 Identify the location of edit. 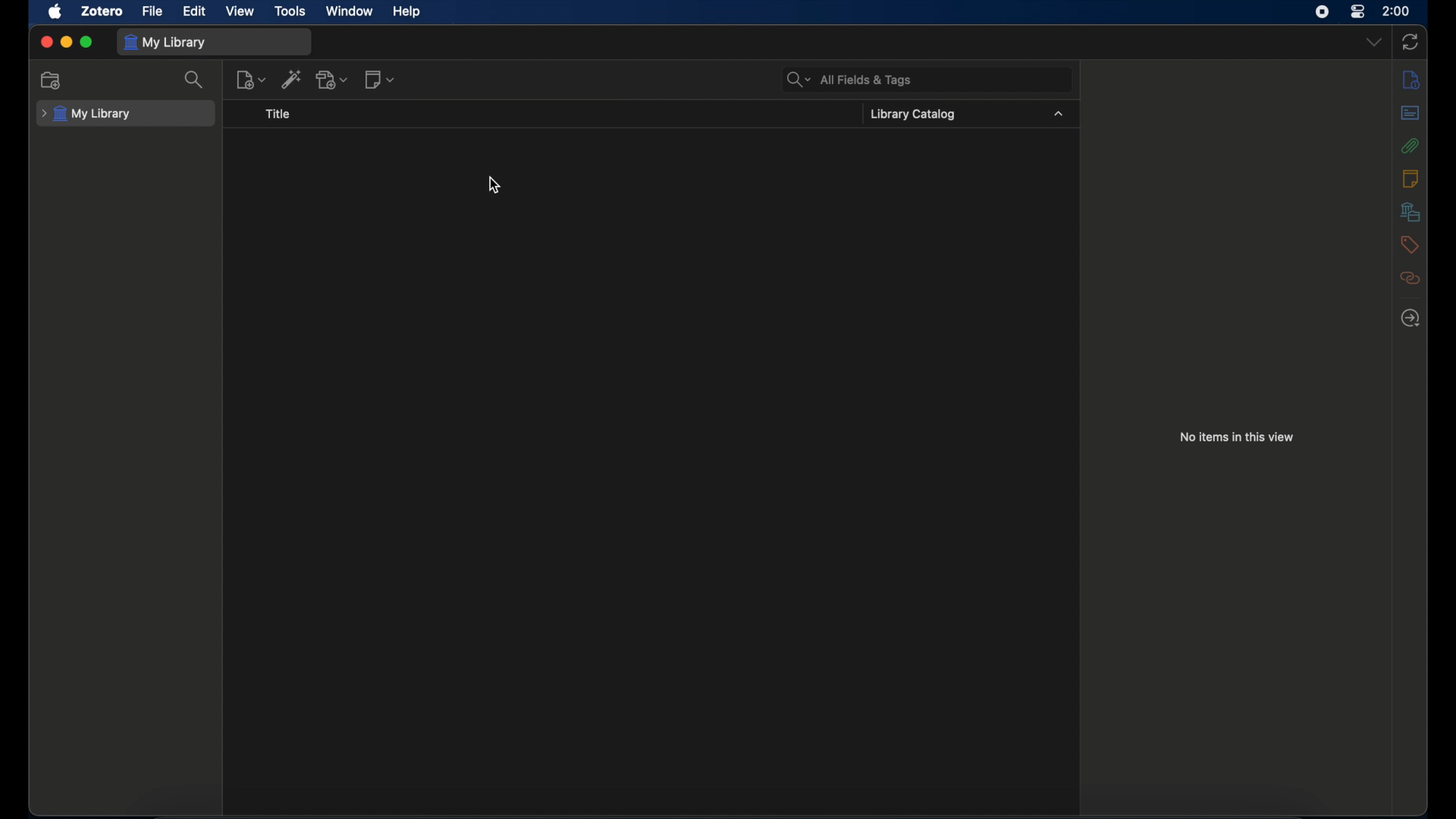
(196, 11).